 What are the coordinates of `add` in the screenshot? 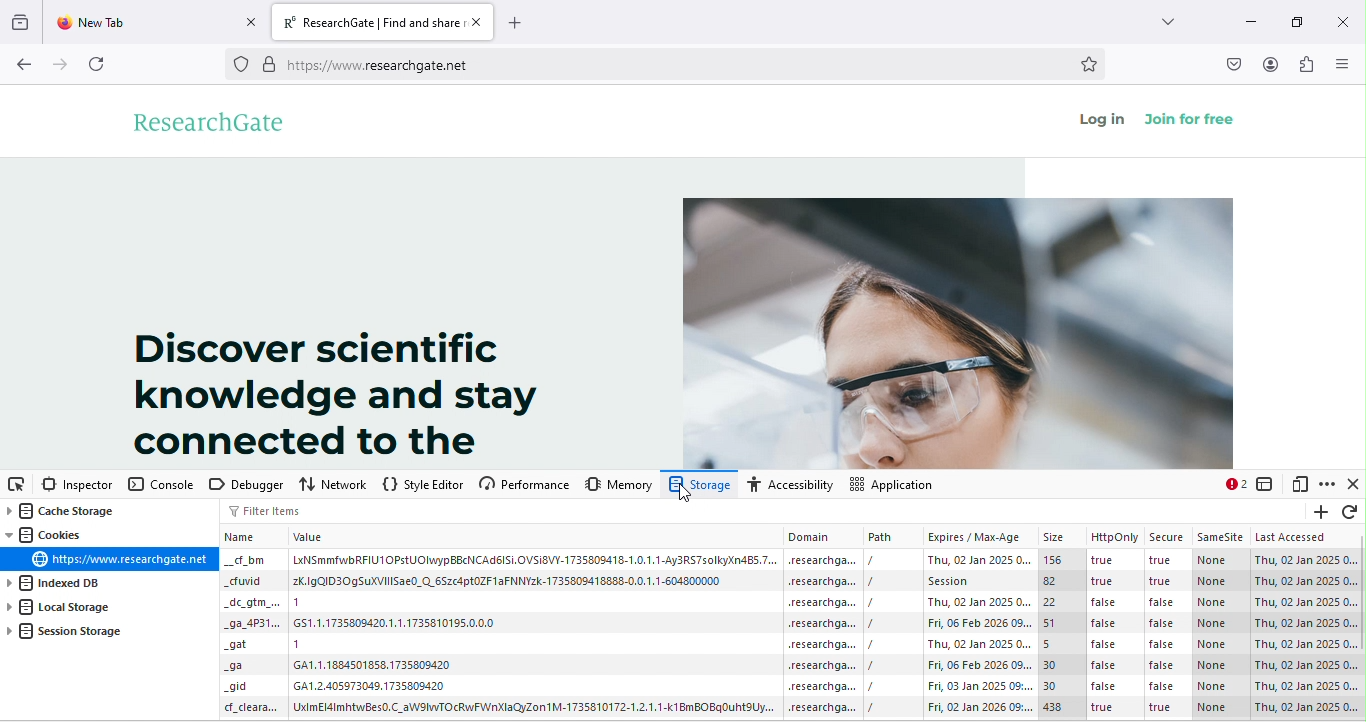 It's located at (1319, 511).